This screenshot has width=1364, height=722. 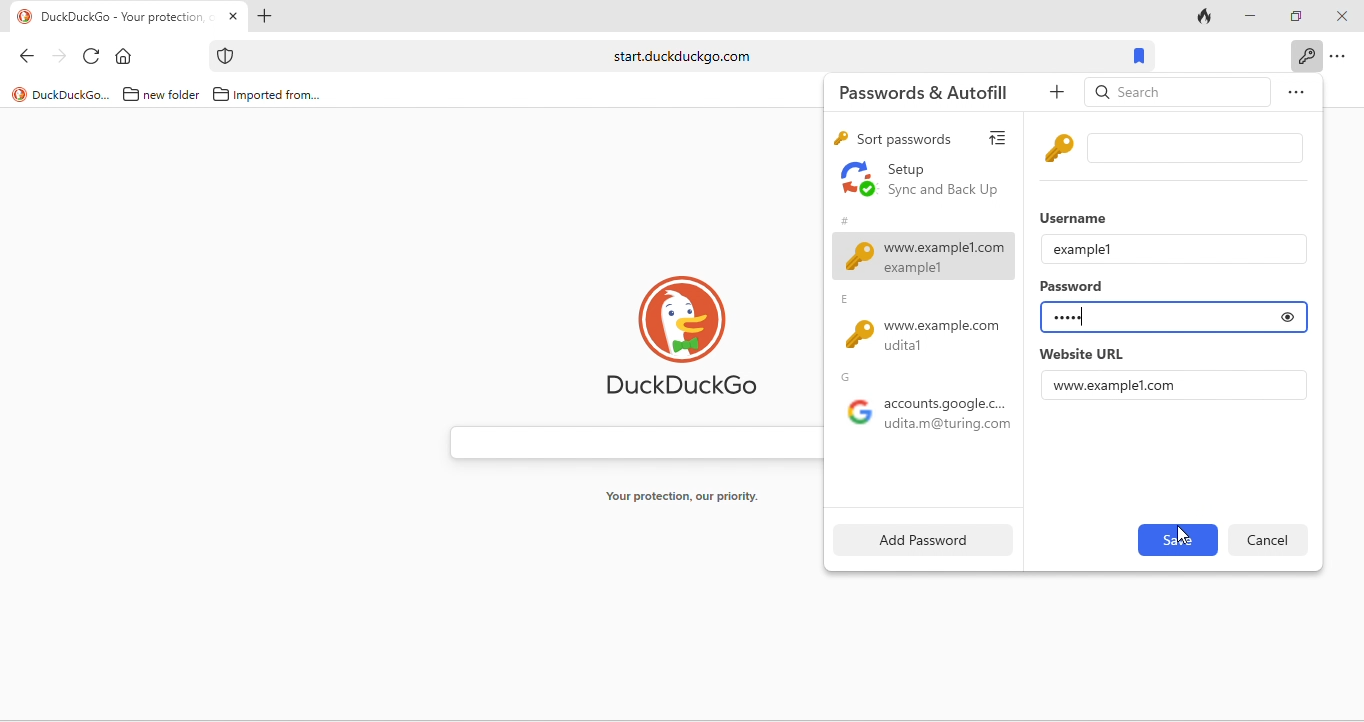 I want to click on add, so click(x=1060, y=93).